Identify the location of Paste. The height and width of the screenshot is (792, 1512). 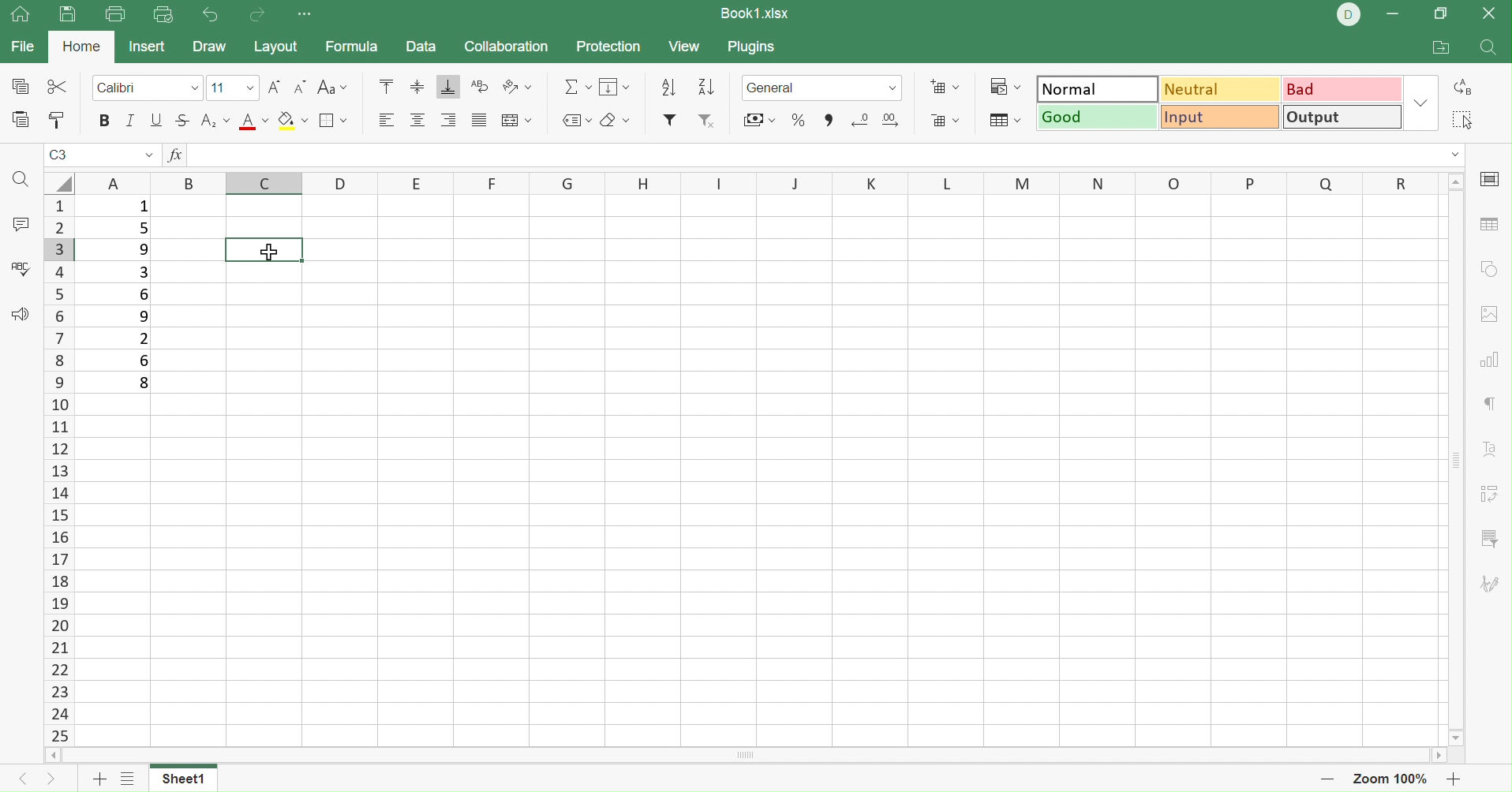
(22, 119).